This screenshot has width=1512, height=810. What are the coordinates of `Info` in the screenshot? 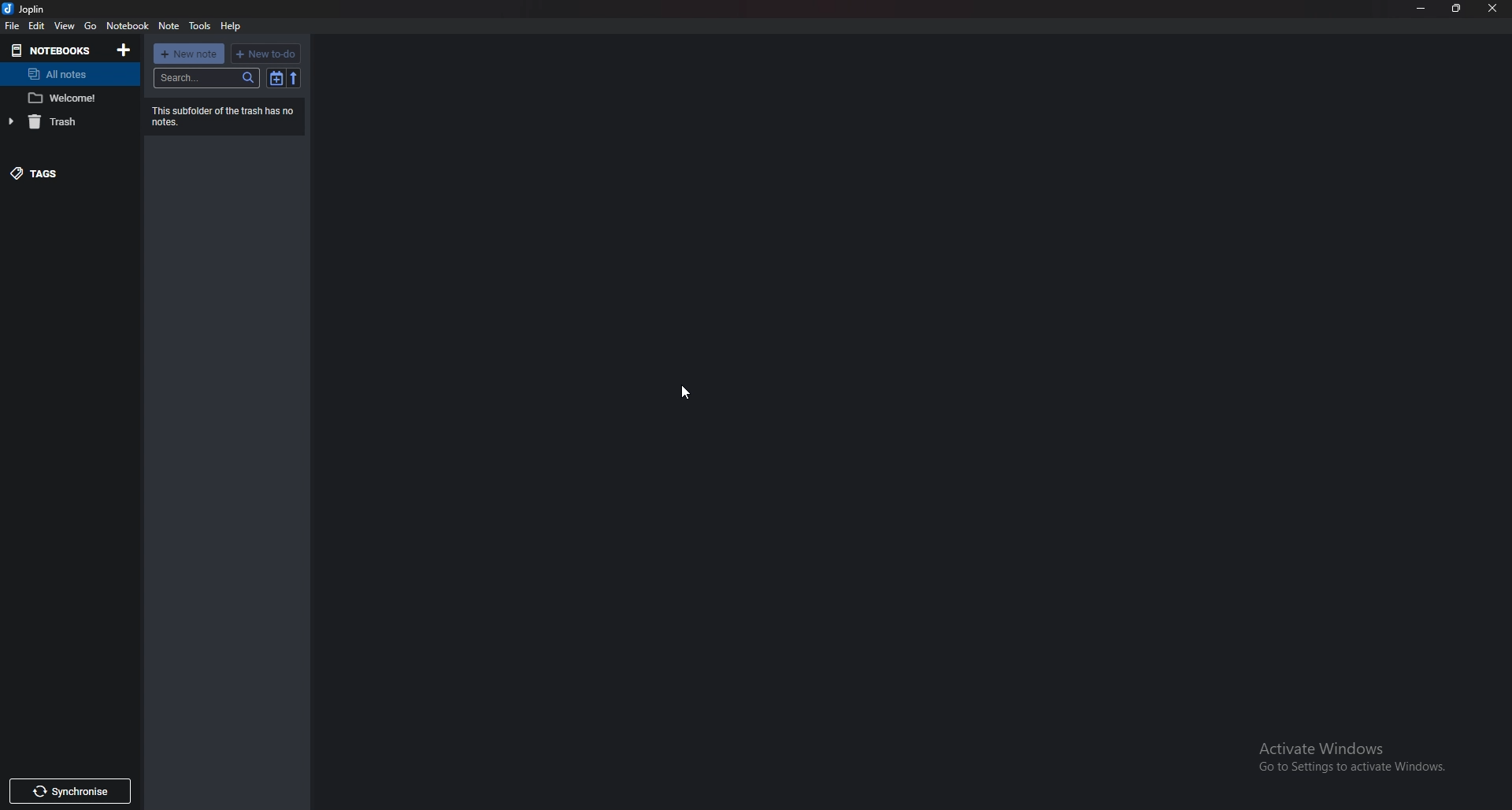 It's located at (222, 114).